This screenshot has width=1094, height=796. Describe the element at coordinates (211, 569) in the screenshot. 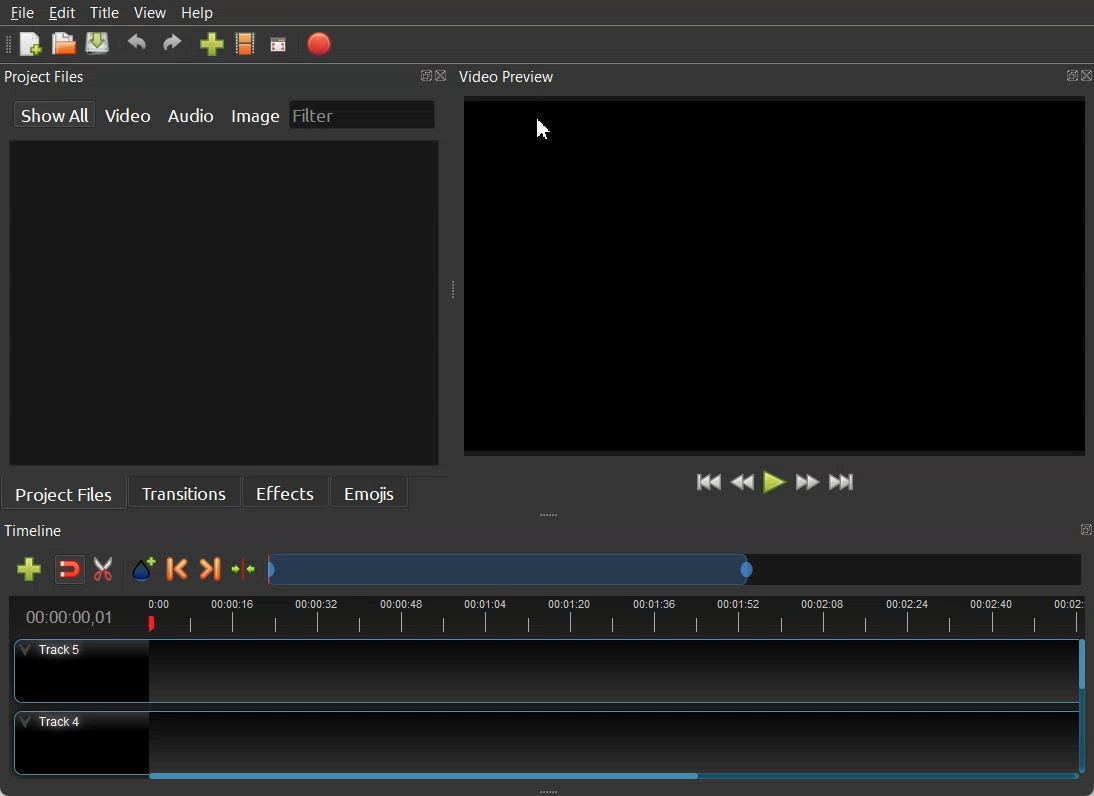

I see `Next Marker` at that location.